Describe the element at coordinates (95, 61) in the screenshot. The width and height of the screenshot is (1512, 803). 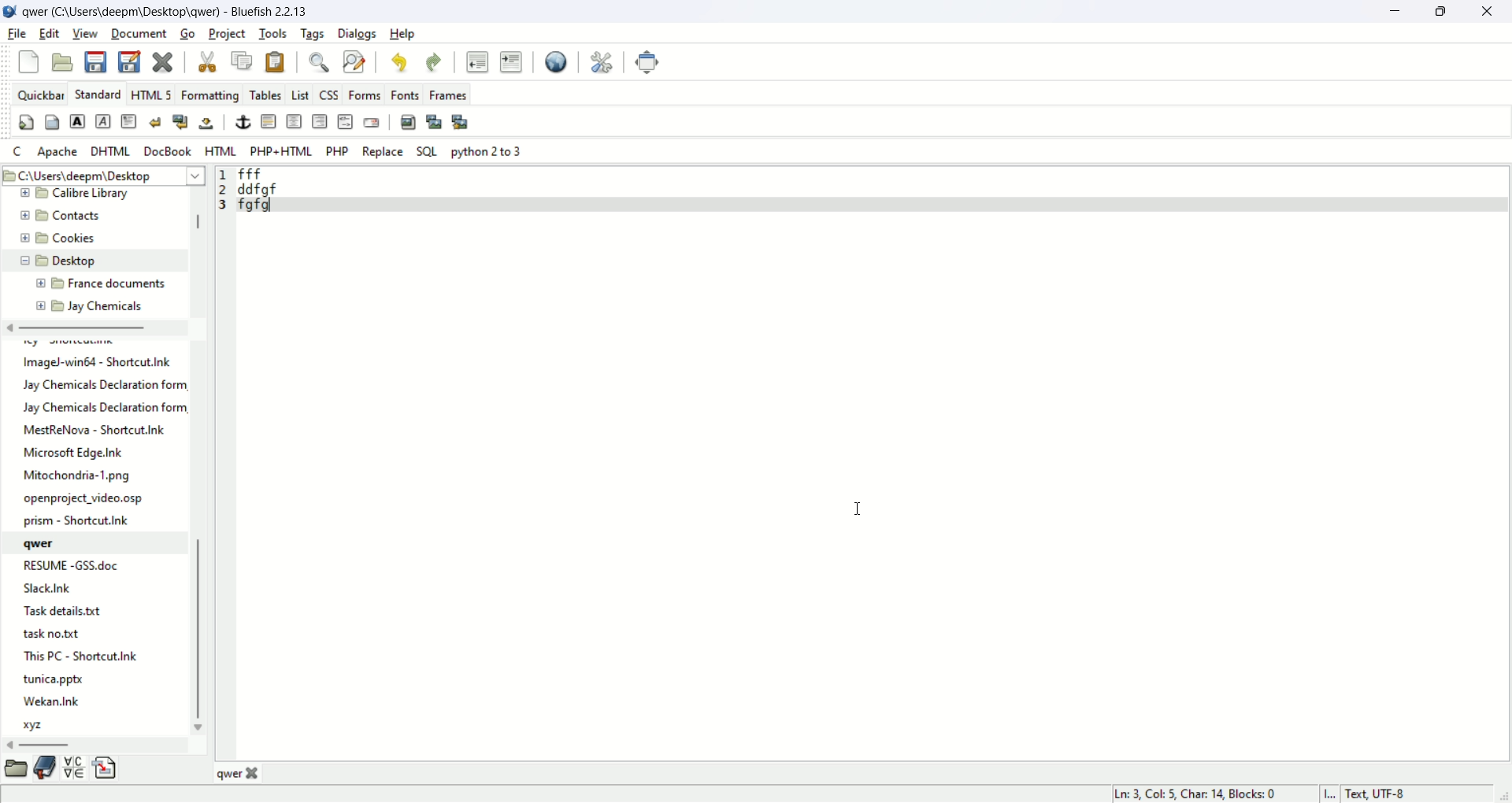
I see `save current file` at that location.